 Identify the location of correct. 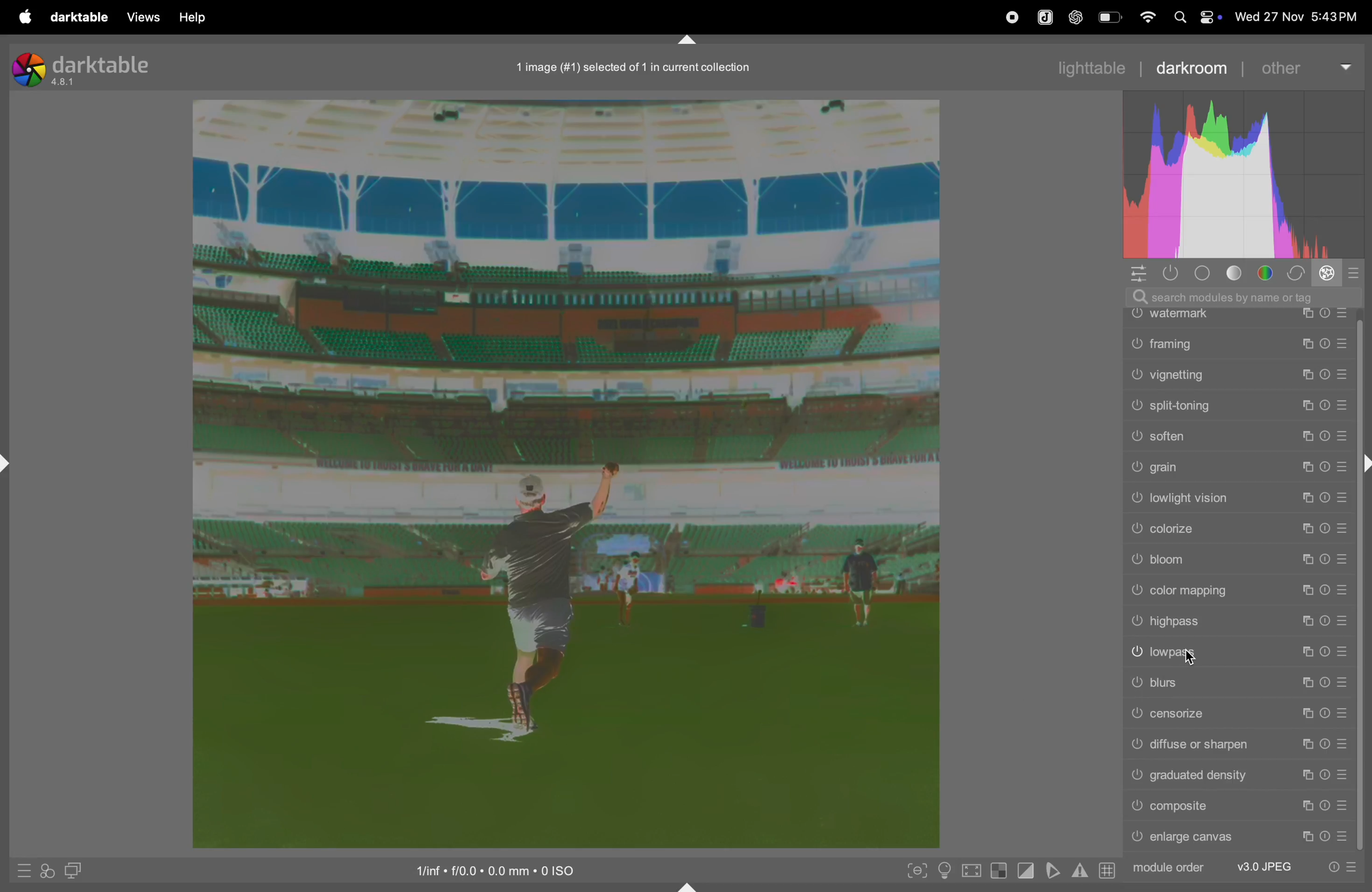
(1295, 273).